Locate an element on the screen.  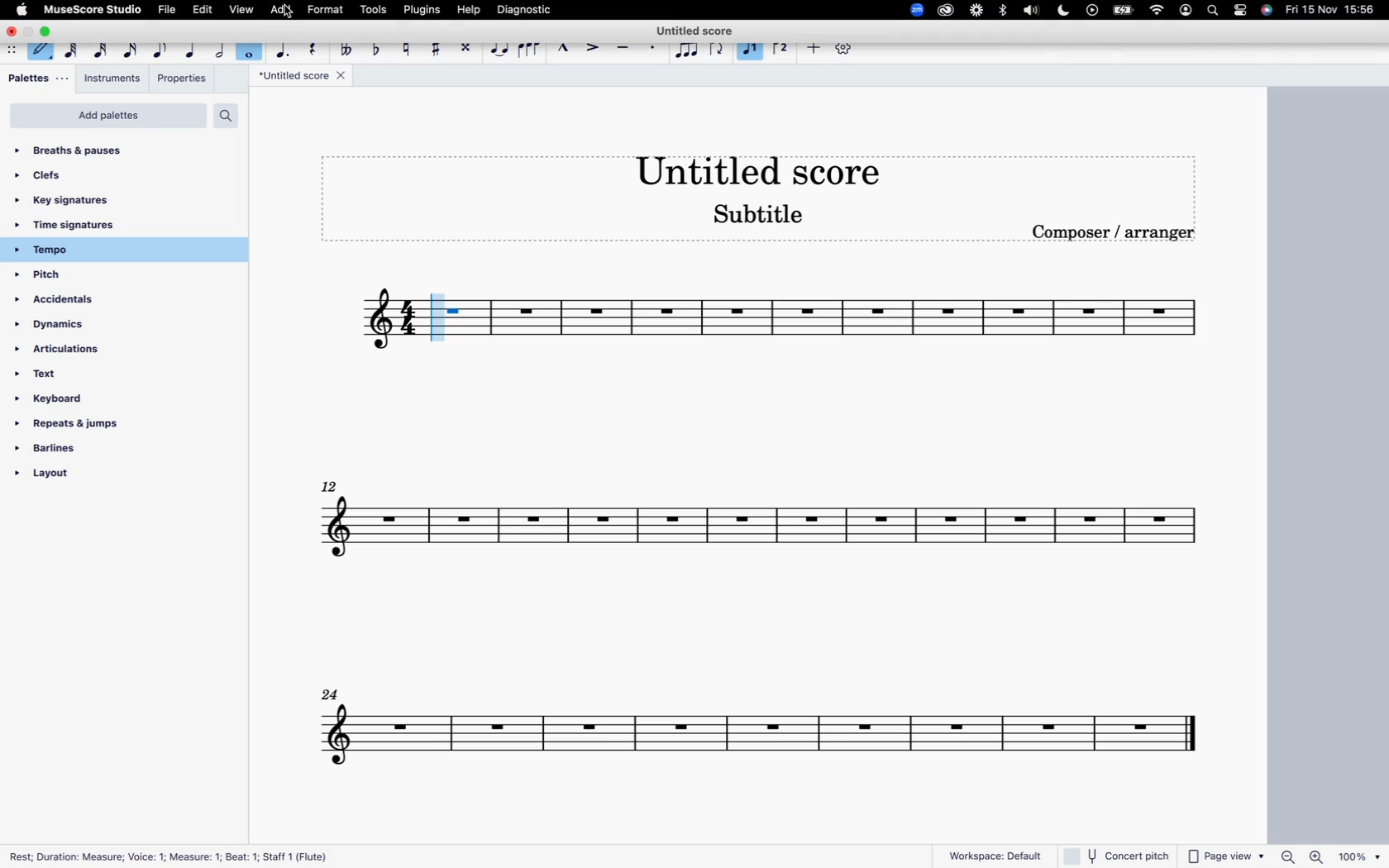
volumne is located at coordinates (1033, 11).